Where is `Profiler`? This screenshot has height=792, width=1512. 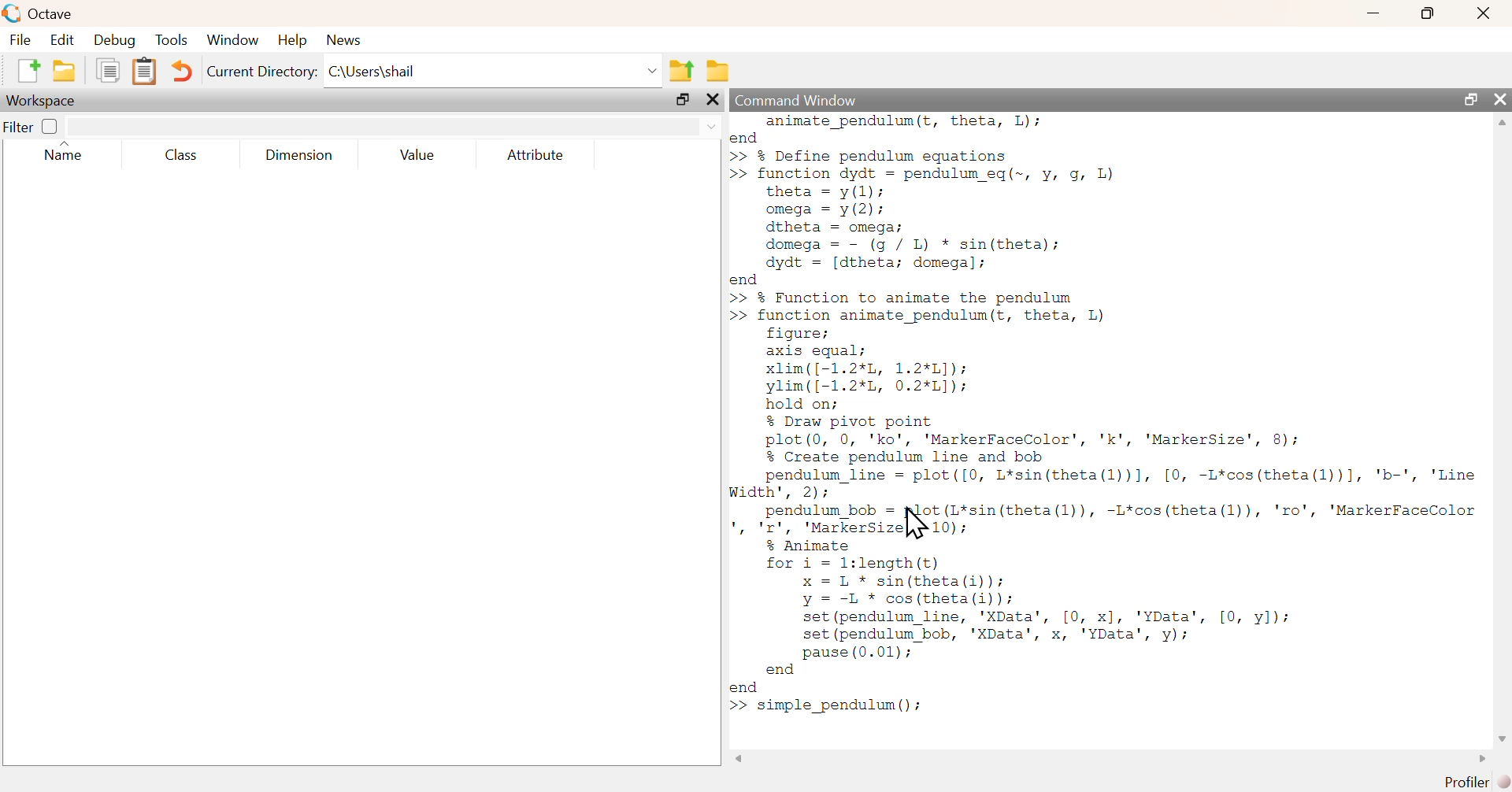 Profiler is located at coordinates (1478, 783).